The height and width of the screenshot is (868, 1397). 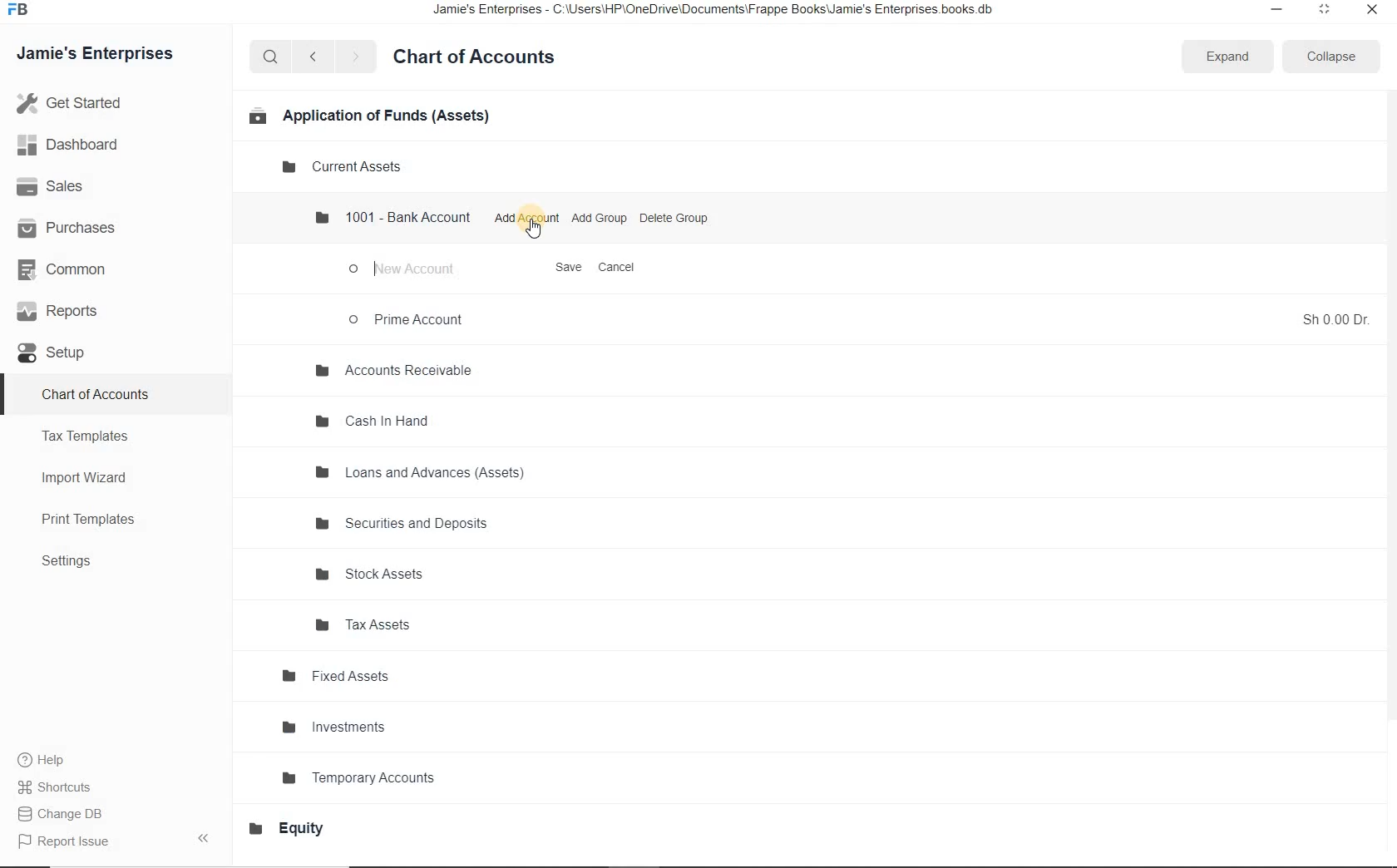 What do you see at coordinates (98, 393) in the screenshot?
I see `Chart of Accounts` at bounding box center [98, 393].